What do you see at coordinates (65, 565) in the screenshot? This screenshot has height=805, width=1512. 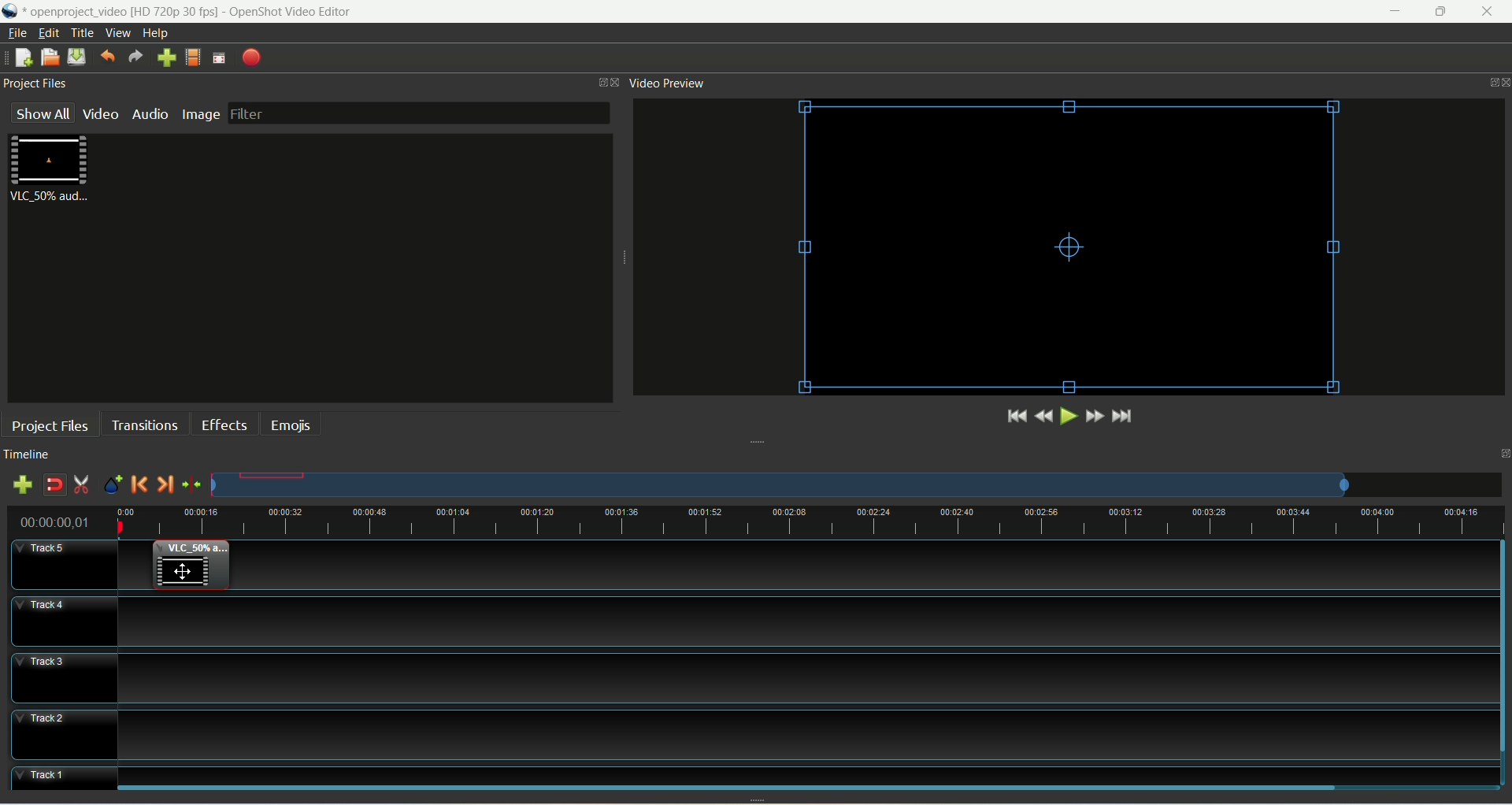 I see `track5` at bounding box center [65, 565].